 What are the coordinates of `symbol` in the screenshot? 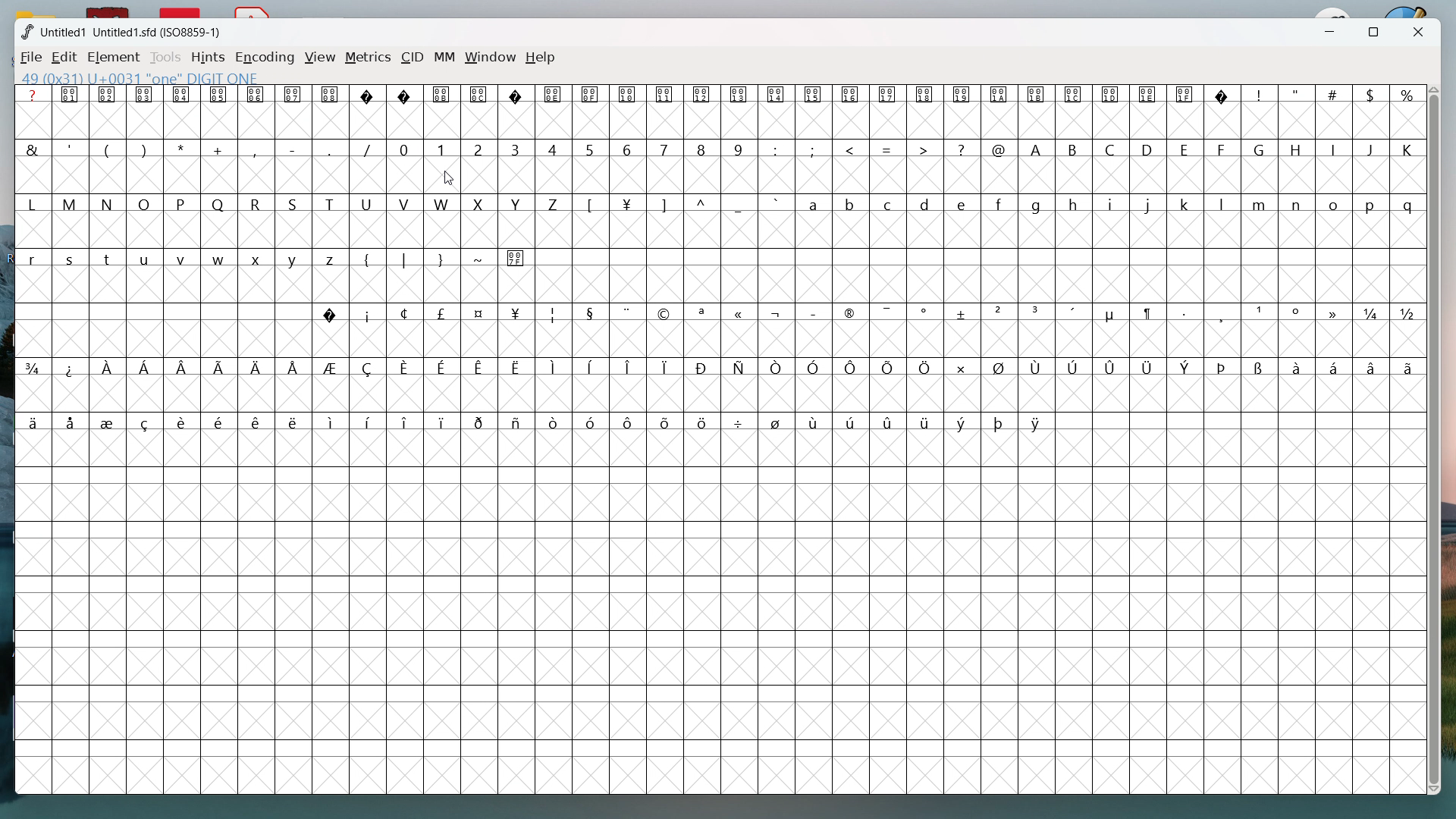 It's located at (1037, 422).